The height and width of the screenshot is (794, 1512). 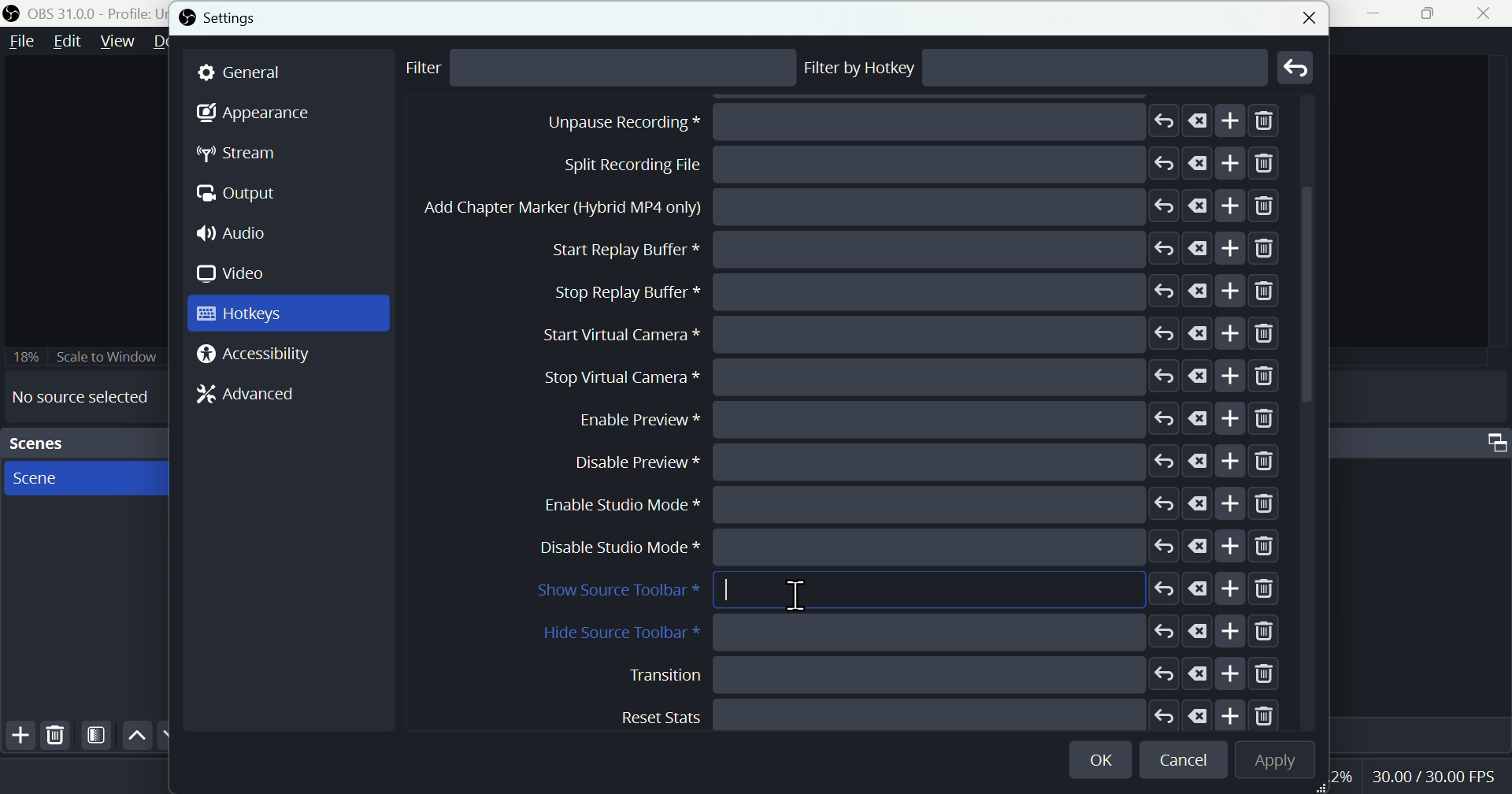 What do you see at coordinates (917, 713) in the screenshot?
I see `Enable studio mode` at bounding box center [917, 713].